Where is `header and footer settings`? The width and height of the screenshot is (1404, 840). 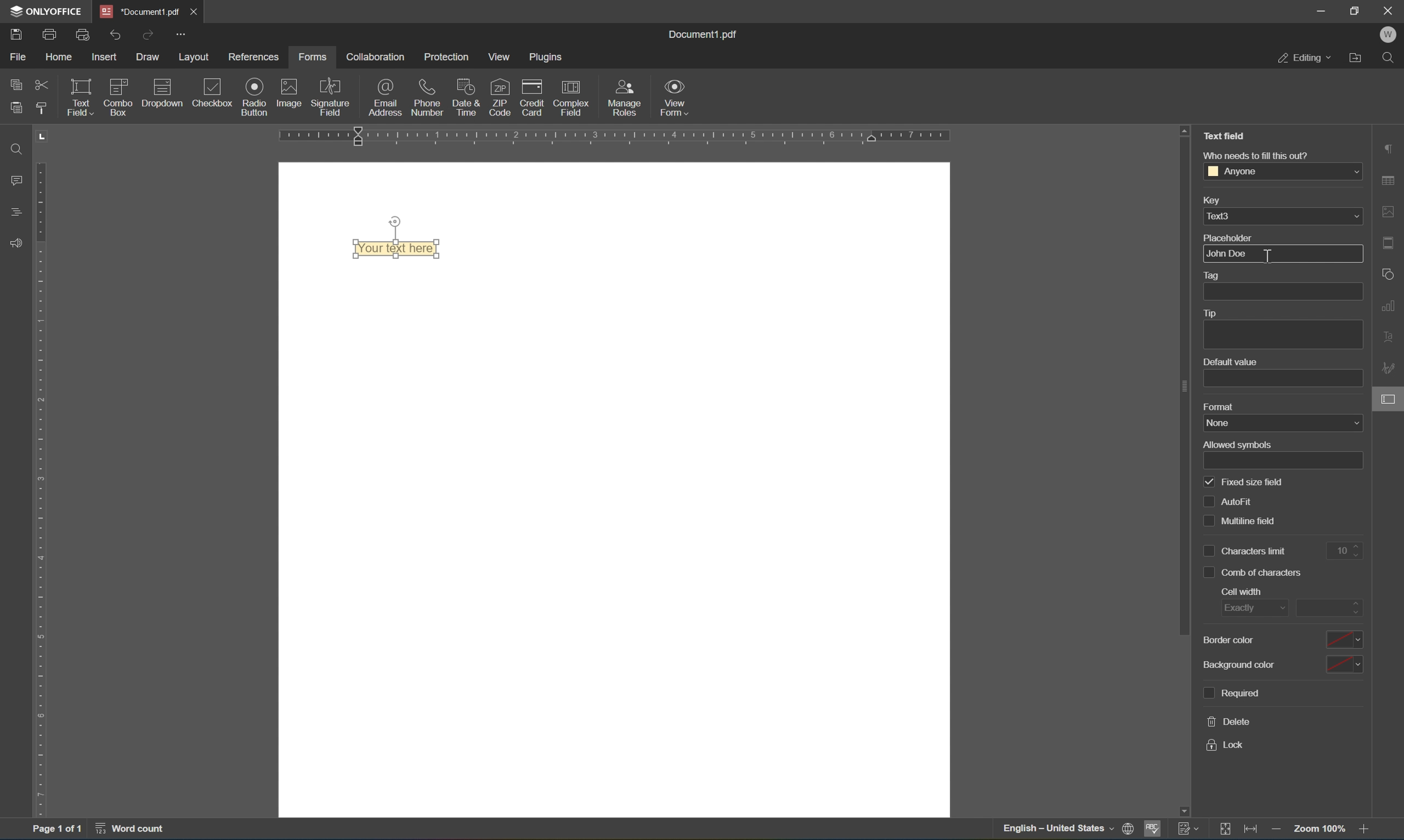
header and footer settings is located at coordinates (1392, 242).